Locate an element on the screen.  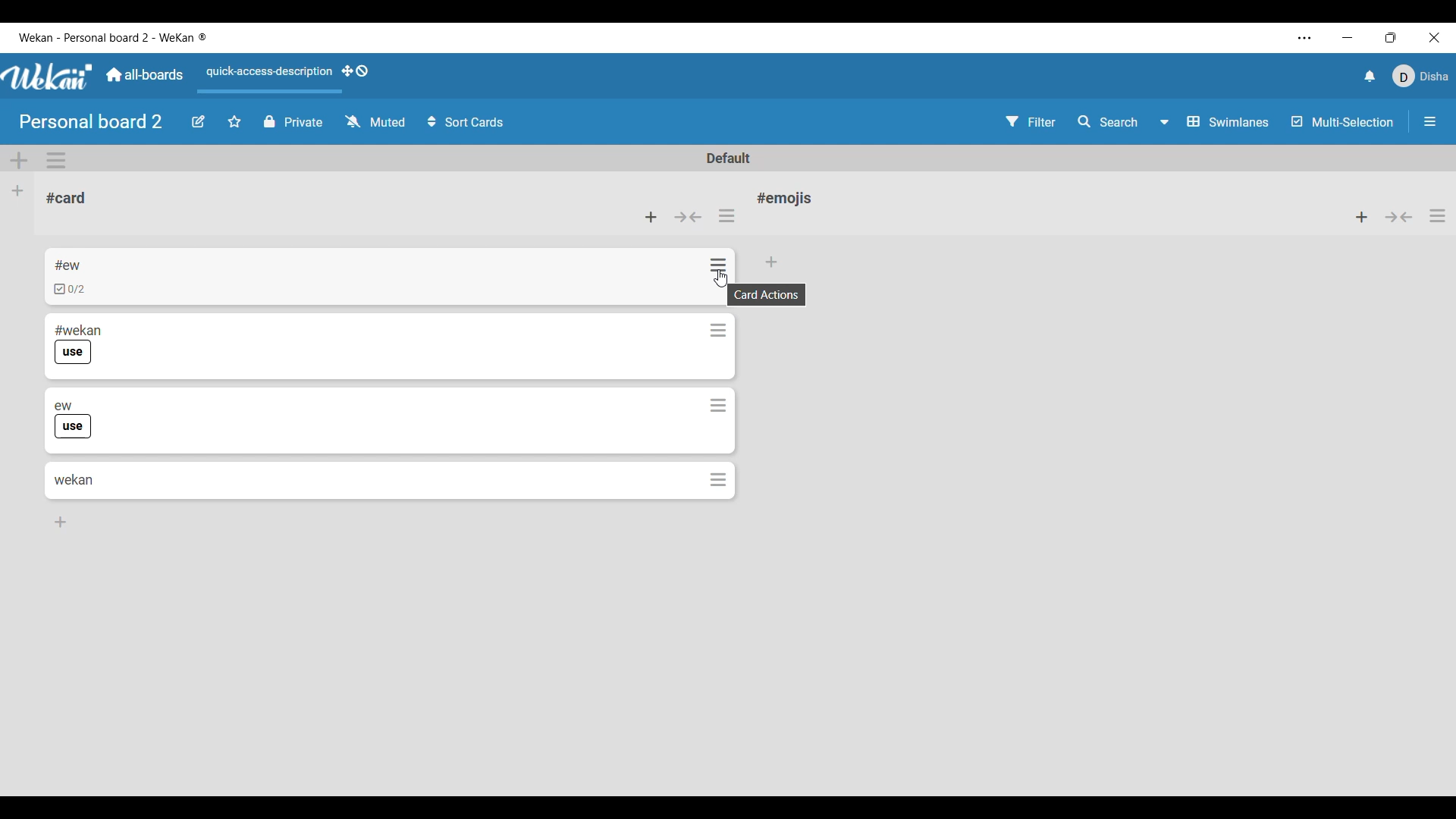
Go to main dashboard is located at coordinates (143, 75).